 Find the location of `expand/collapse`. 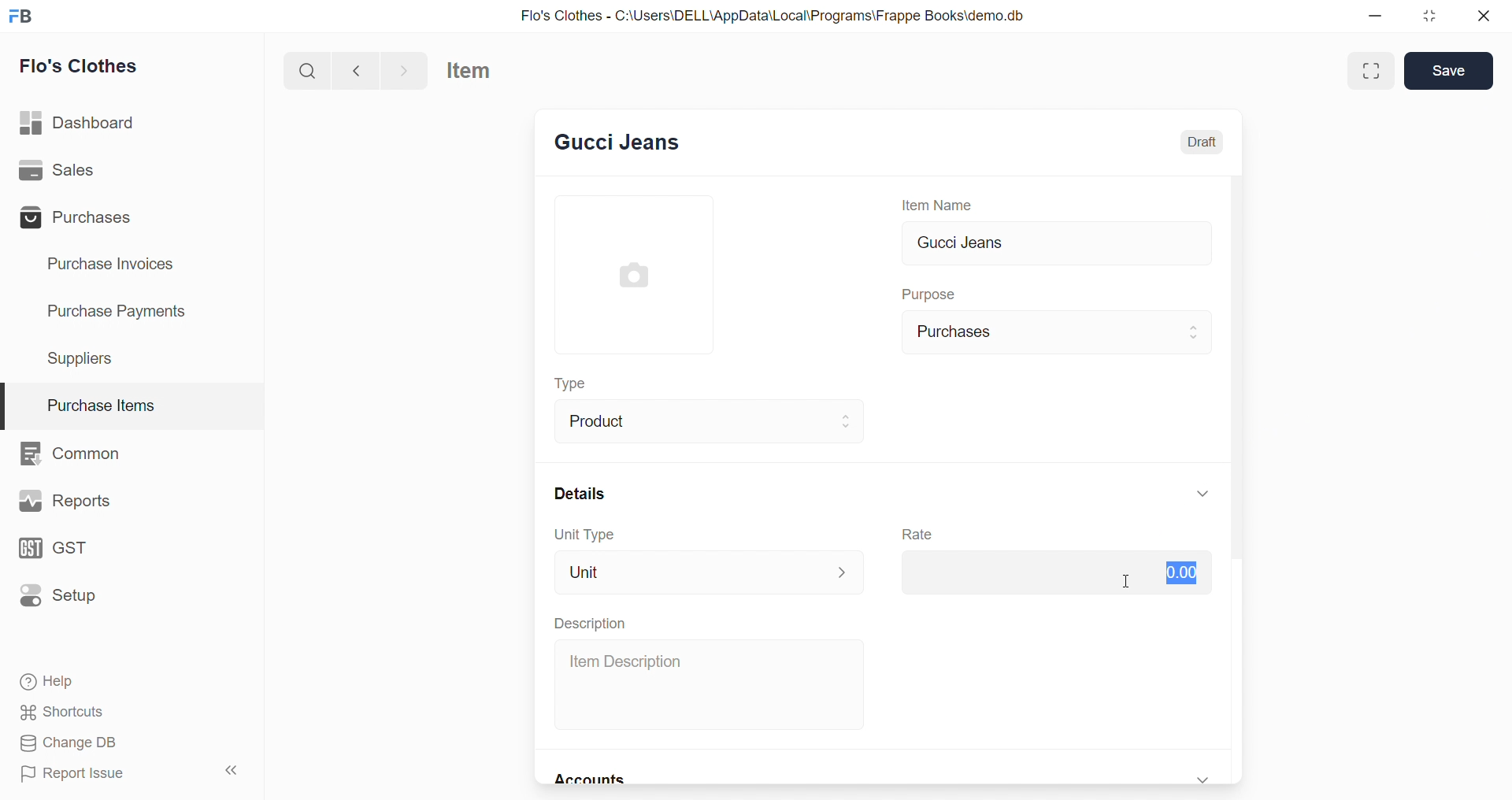

expand/collapse is located at coordinates (1205, 777).